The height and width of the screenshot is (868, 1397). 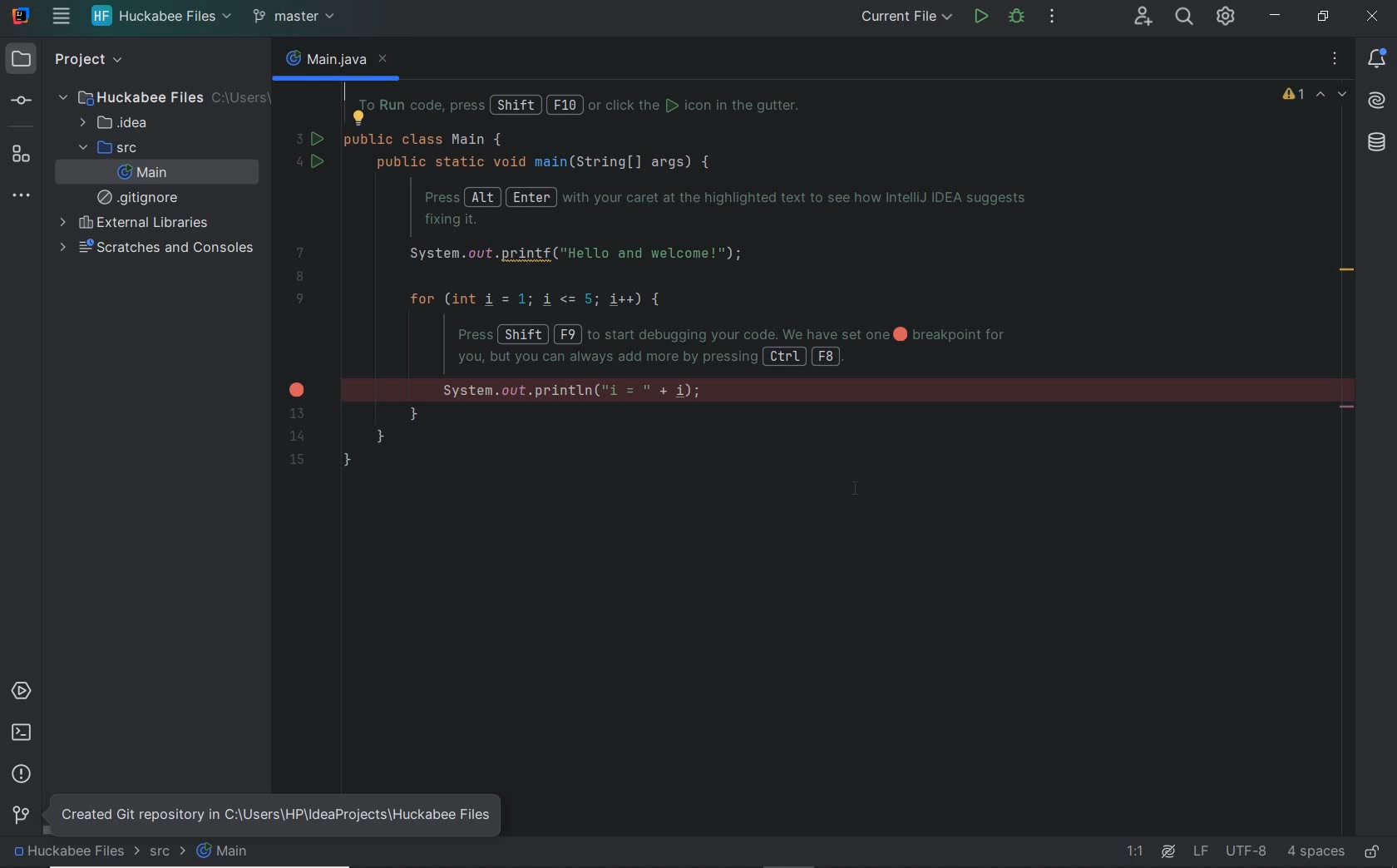 What do you see at coordinates (141, 197) in the screenshot?
I see `gitignore` at bounding box center [141, 197].